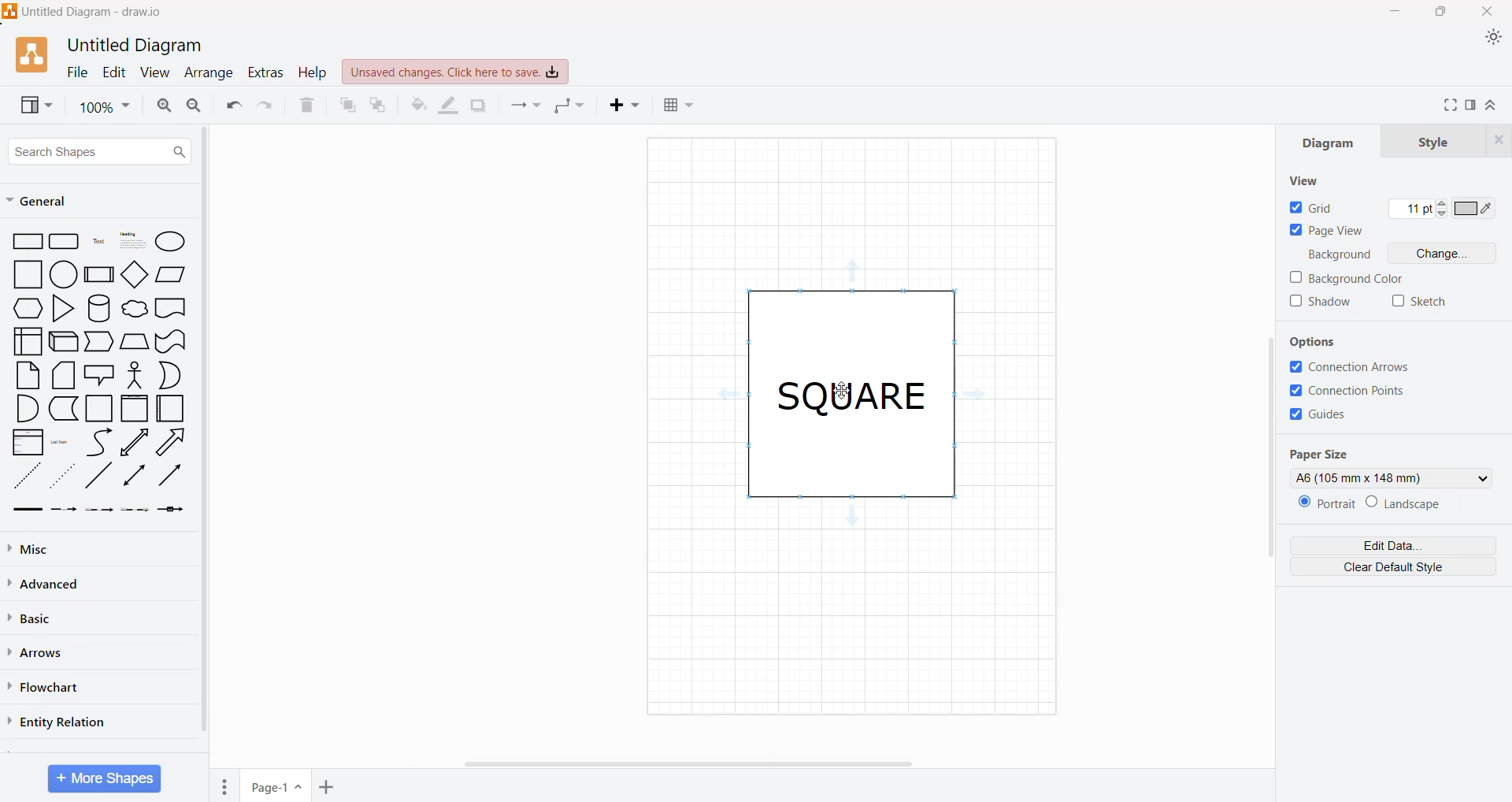 The image size is (1512, 802). I want to click on Stacked Papers , so click(62, 375).